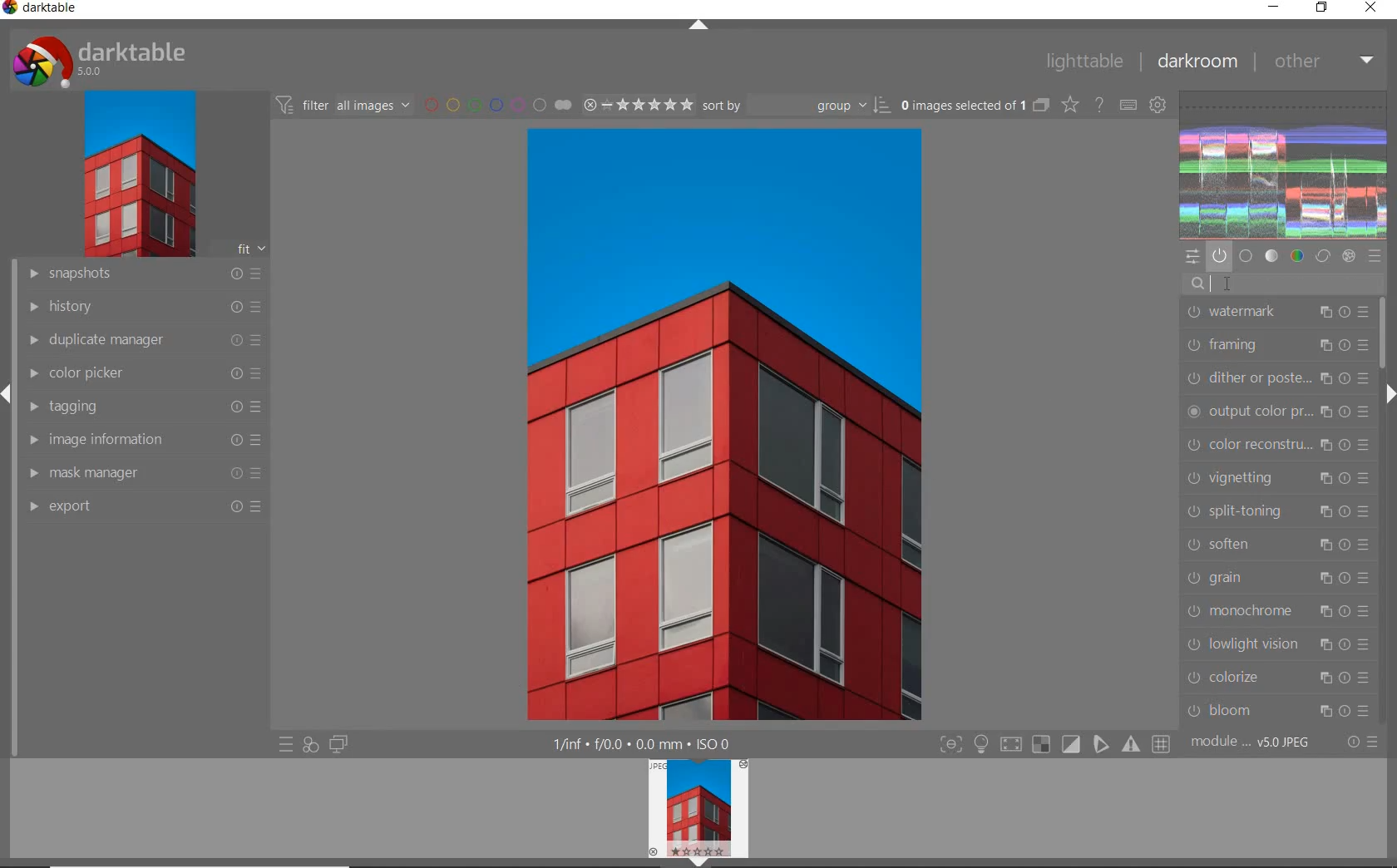 The width and height of the screenshot is (1397, 868). What do you see at coordinates (286, 745) in the screenshot?
I see `quick access to preset` at bounding box center [286, 745].